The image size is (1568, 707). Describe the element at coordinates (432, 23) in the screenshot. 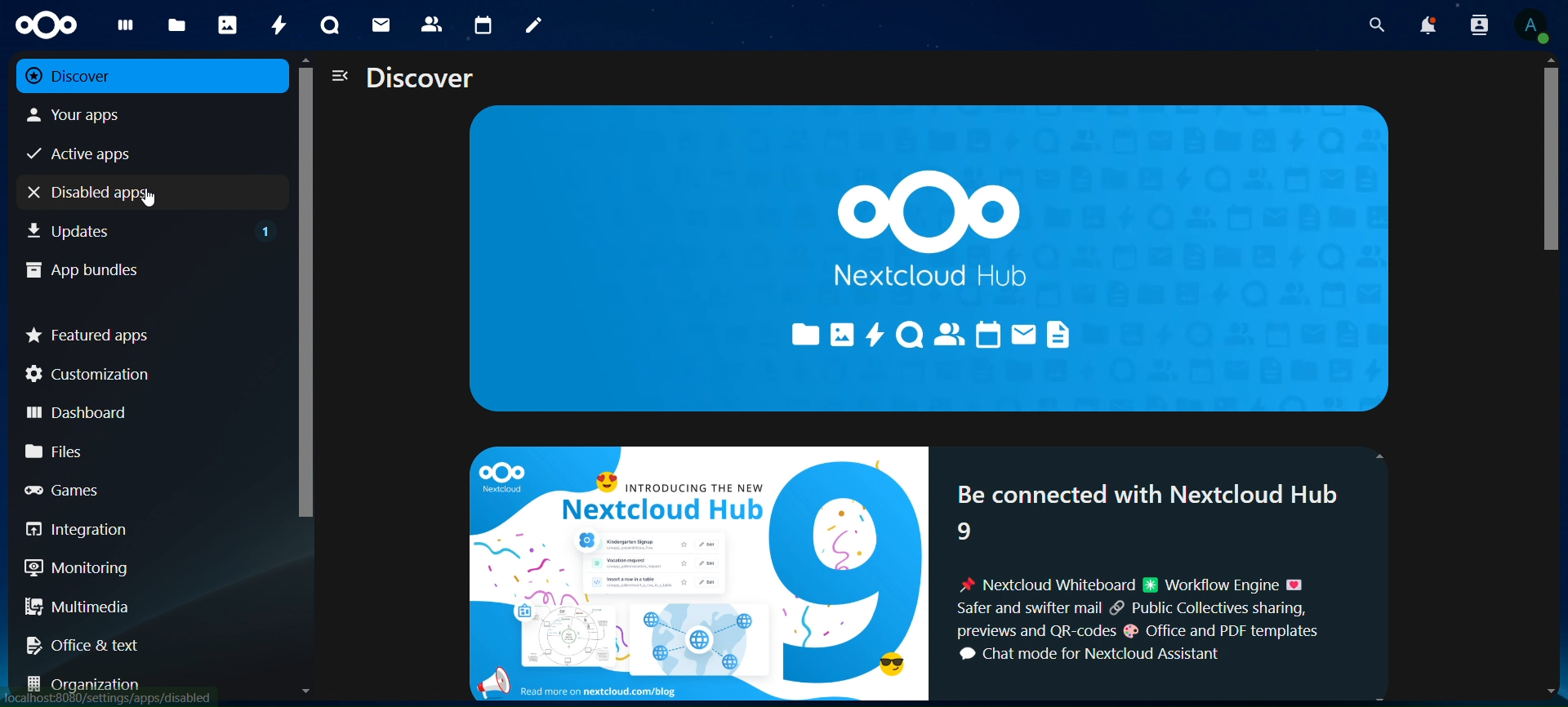

I see `contact` at that location.